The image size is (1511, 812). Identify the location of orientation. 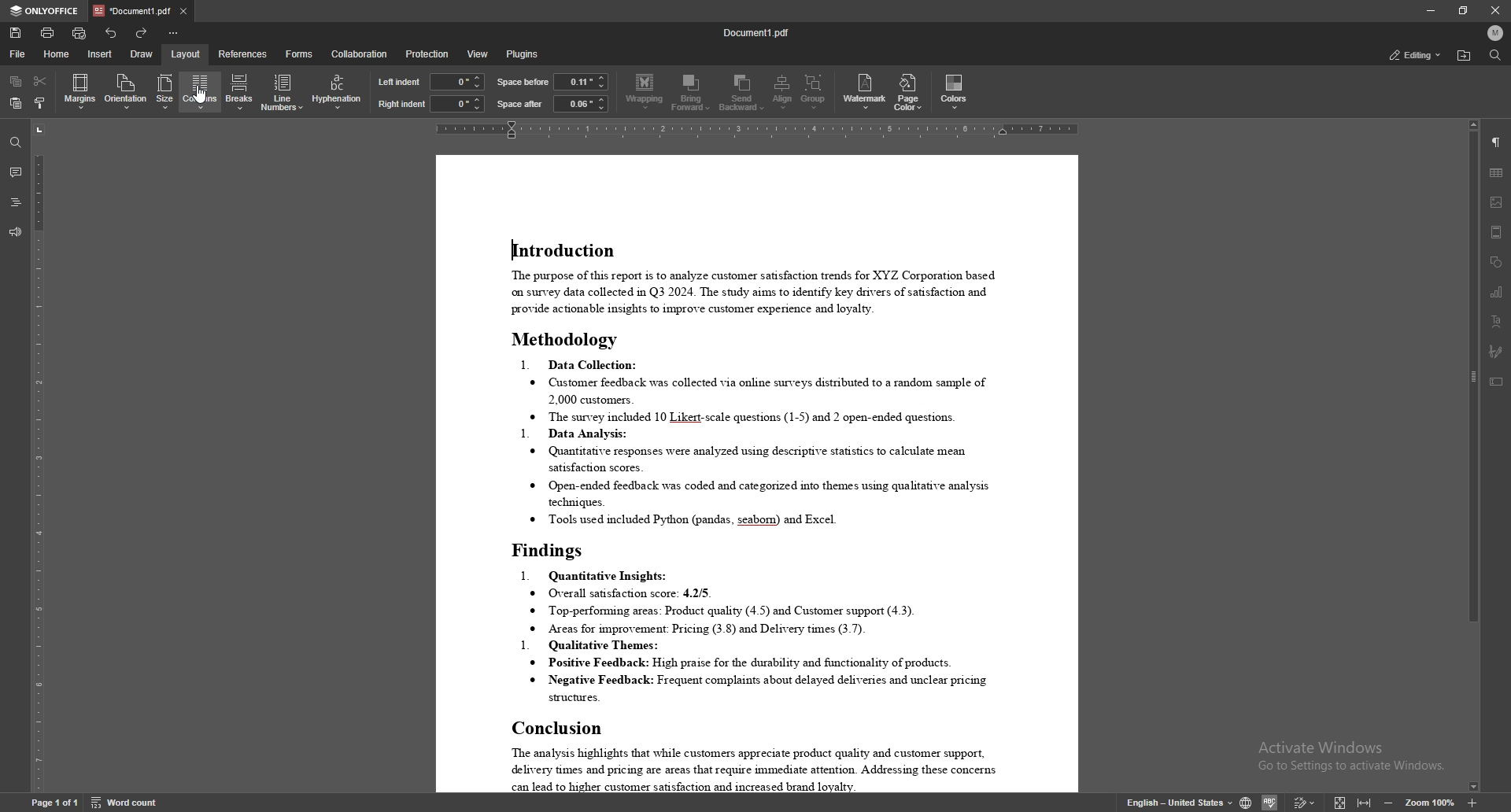
(125, 91).